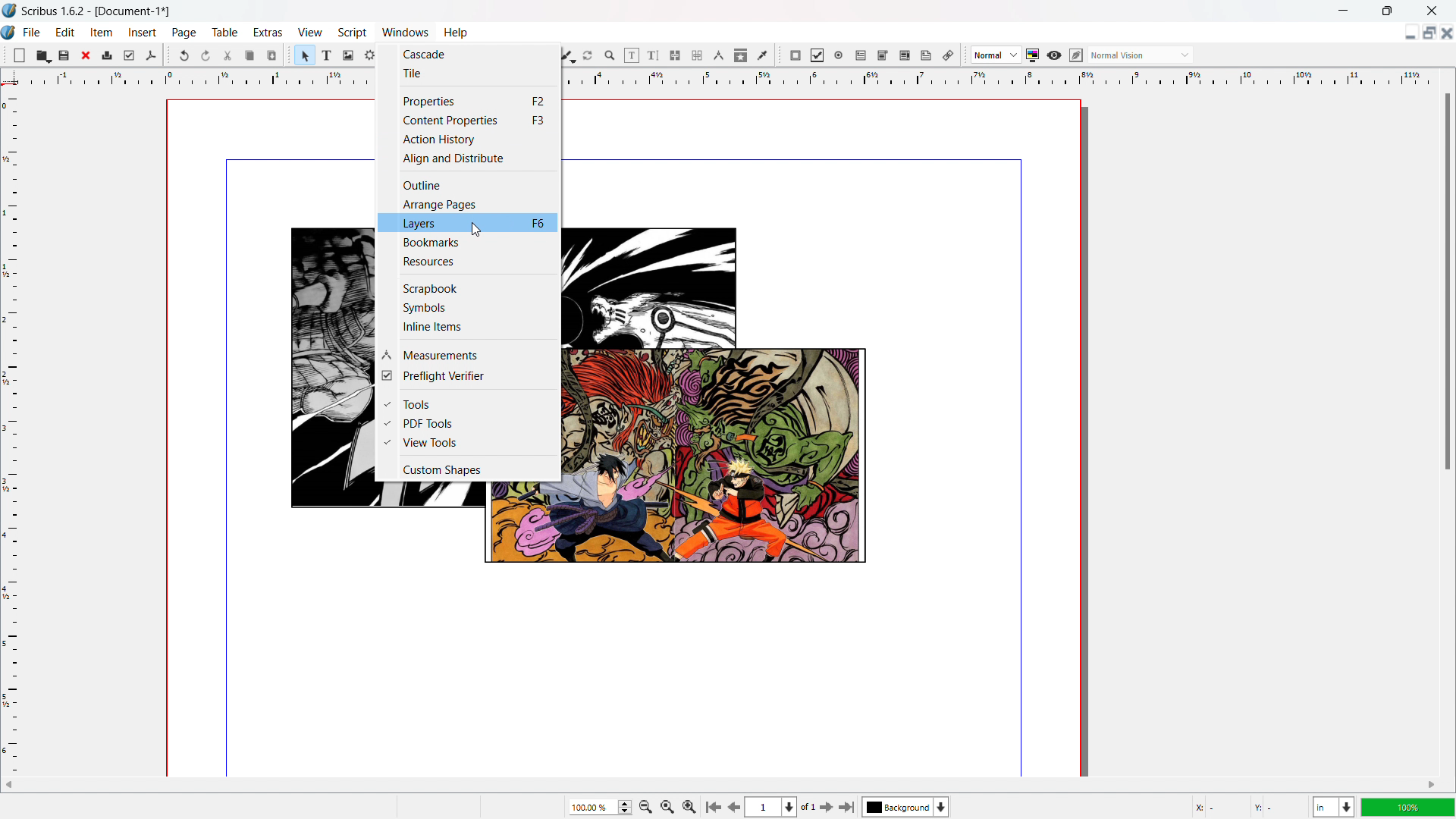  I want to click on select current unit, so click(1333, 806).